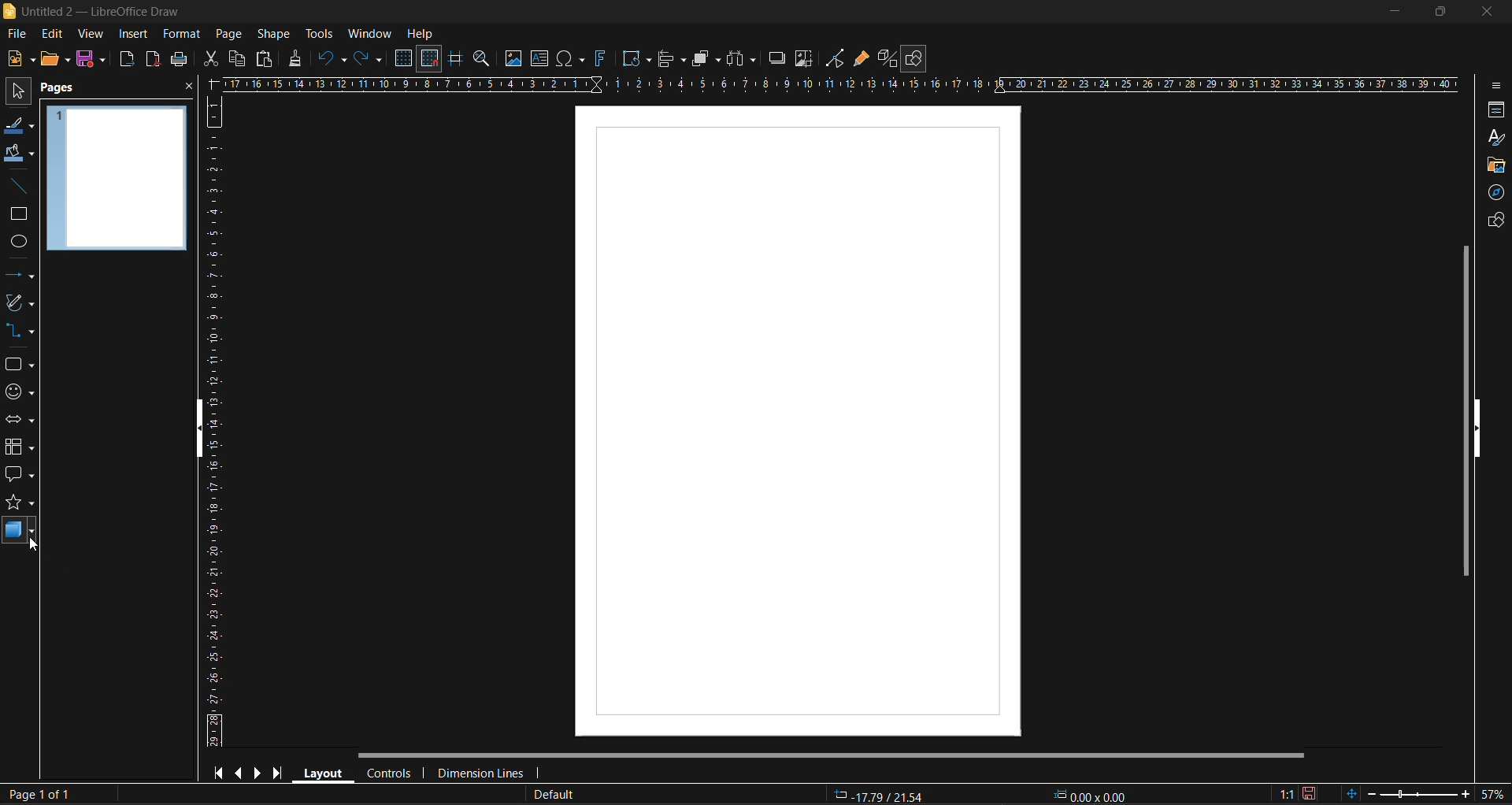 The height and width of the screenshot is (805, 1512). I want to click on align objects, so click(670, 60).